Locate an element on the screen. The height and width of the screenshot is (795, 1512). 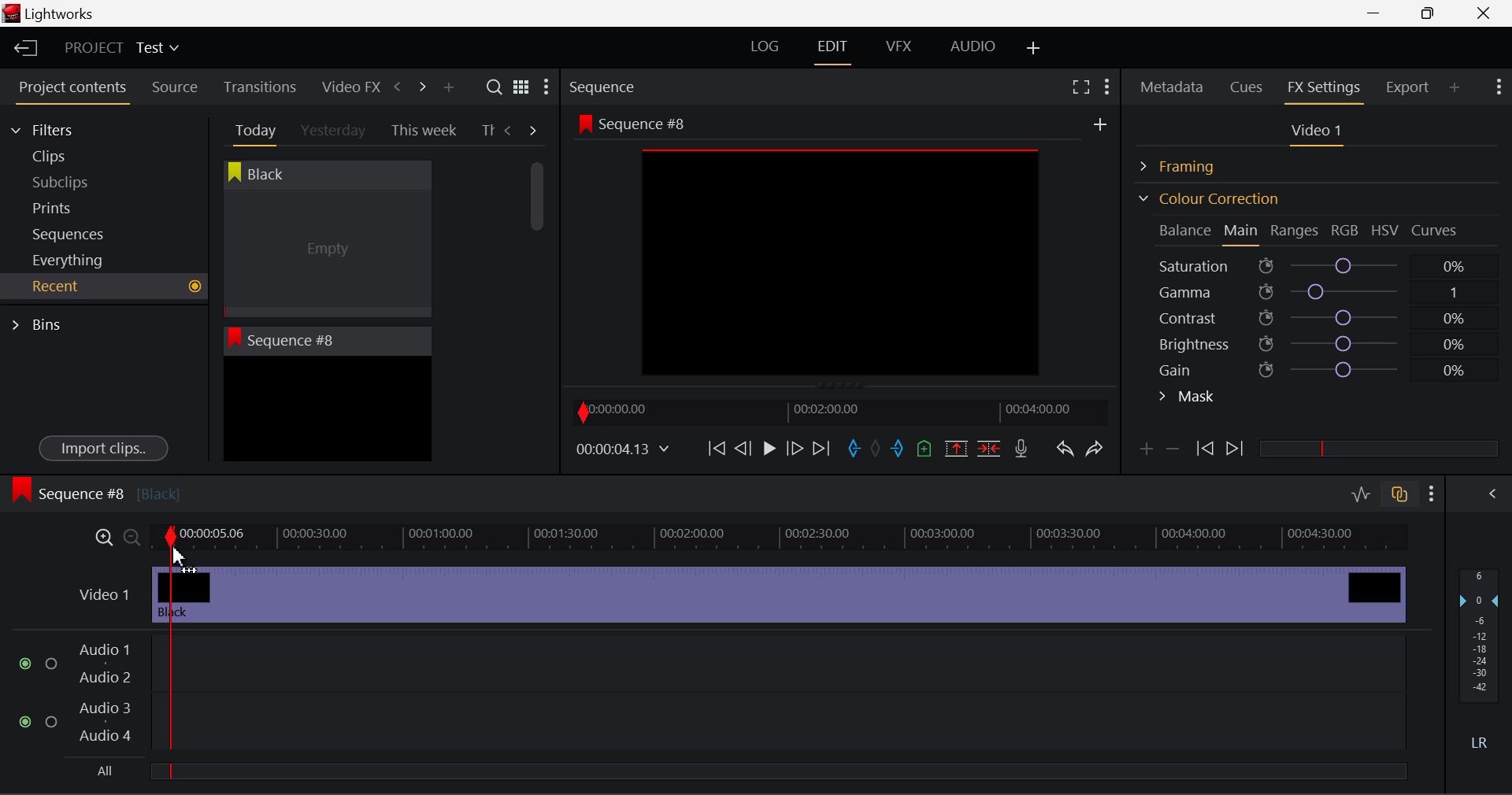
Contrast is located at coordinates (1318, 317).